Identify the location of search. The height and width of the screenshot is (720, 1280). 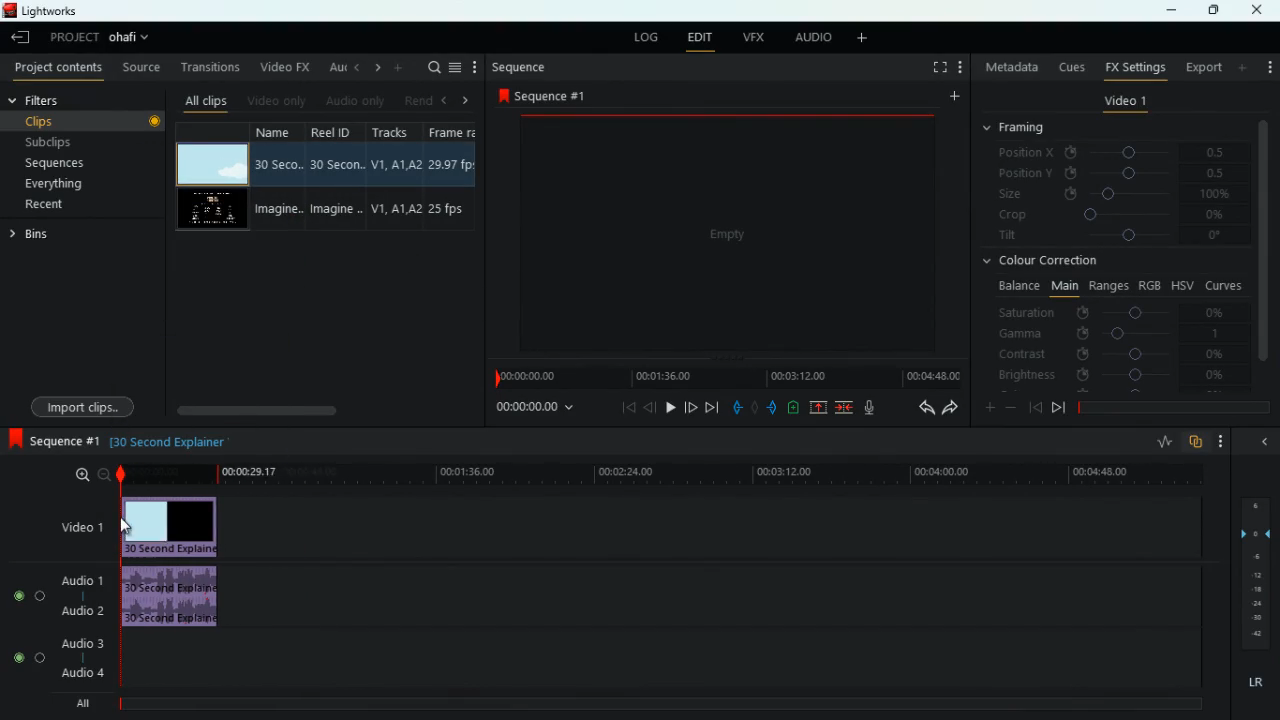
(429, 66).